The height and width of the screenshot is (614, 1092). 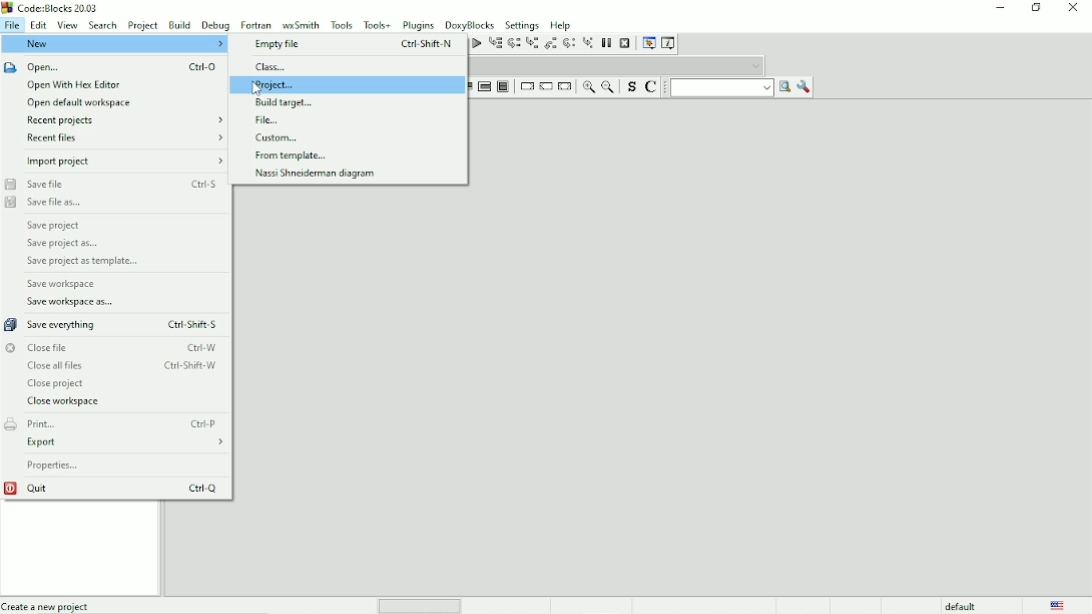 I want to click on Close workspace, so click(x=65, y=402).